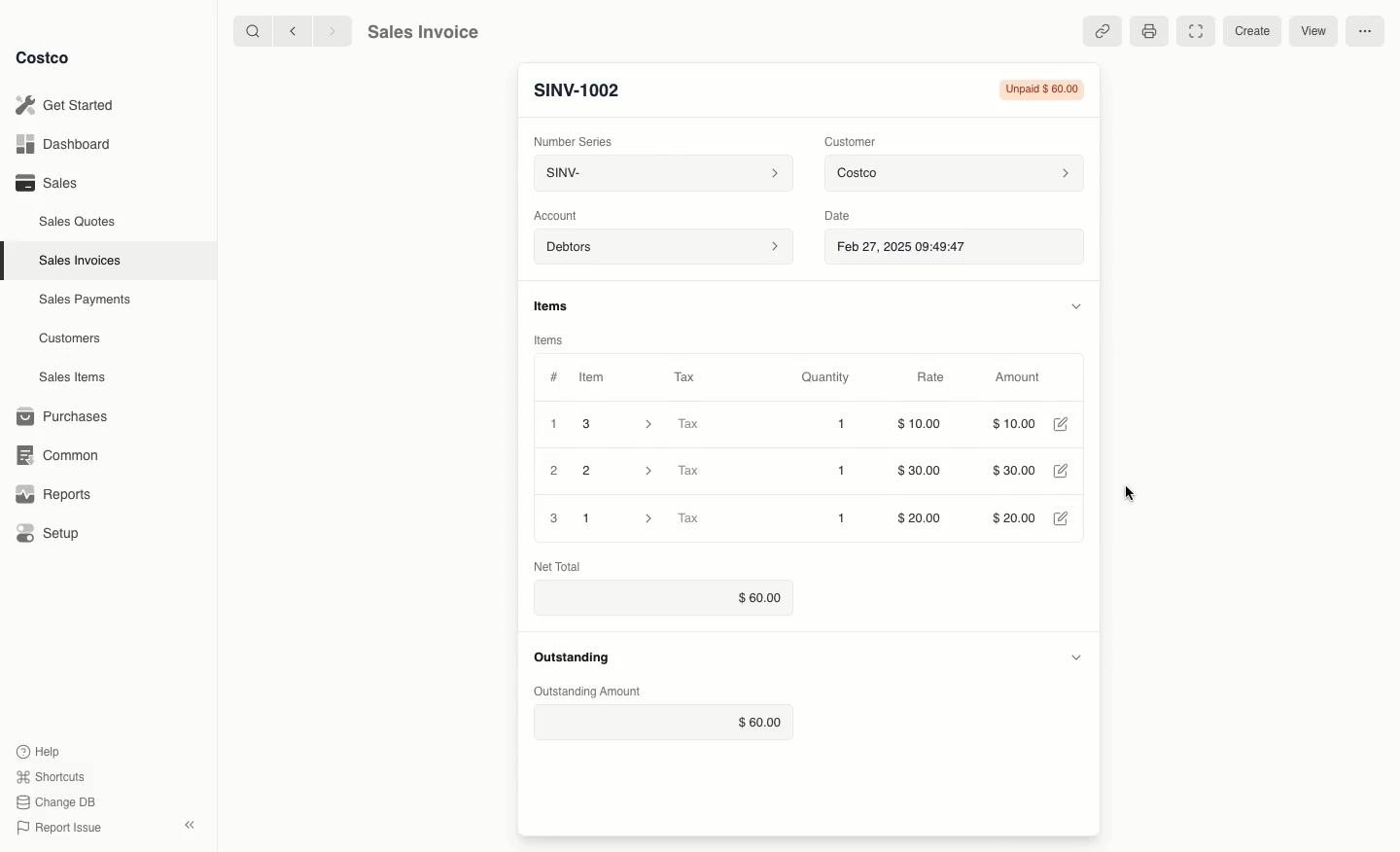 This screenshot has height=852, width=1400. Describe the element at coordinates (44, 58) in the screenshot. I see `Costco` at that location.